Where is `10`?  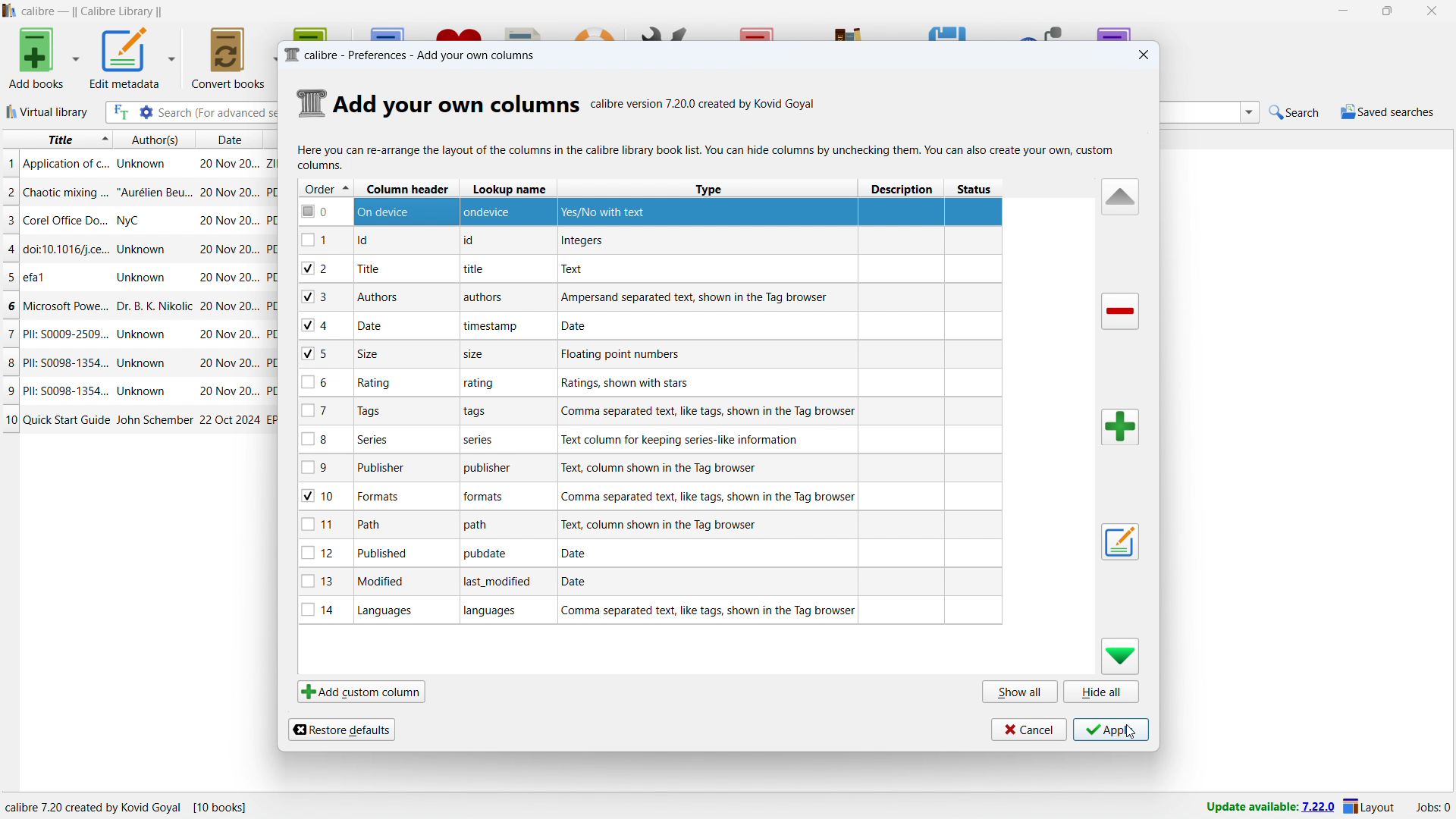 10 is located at coordinates (323, 496).